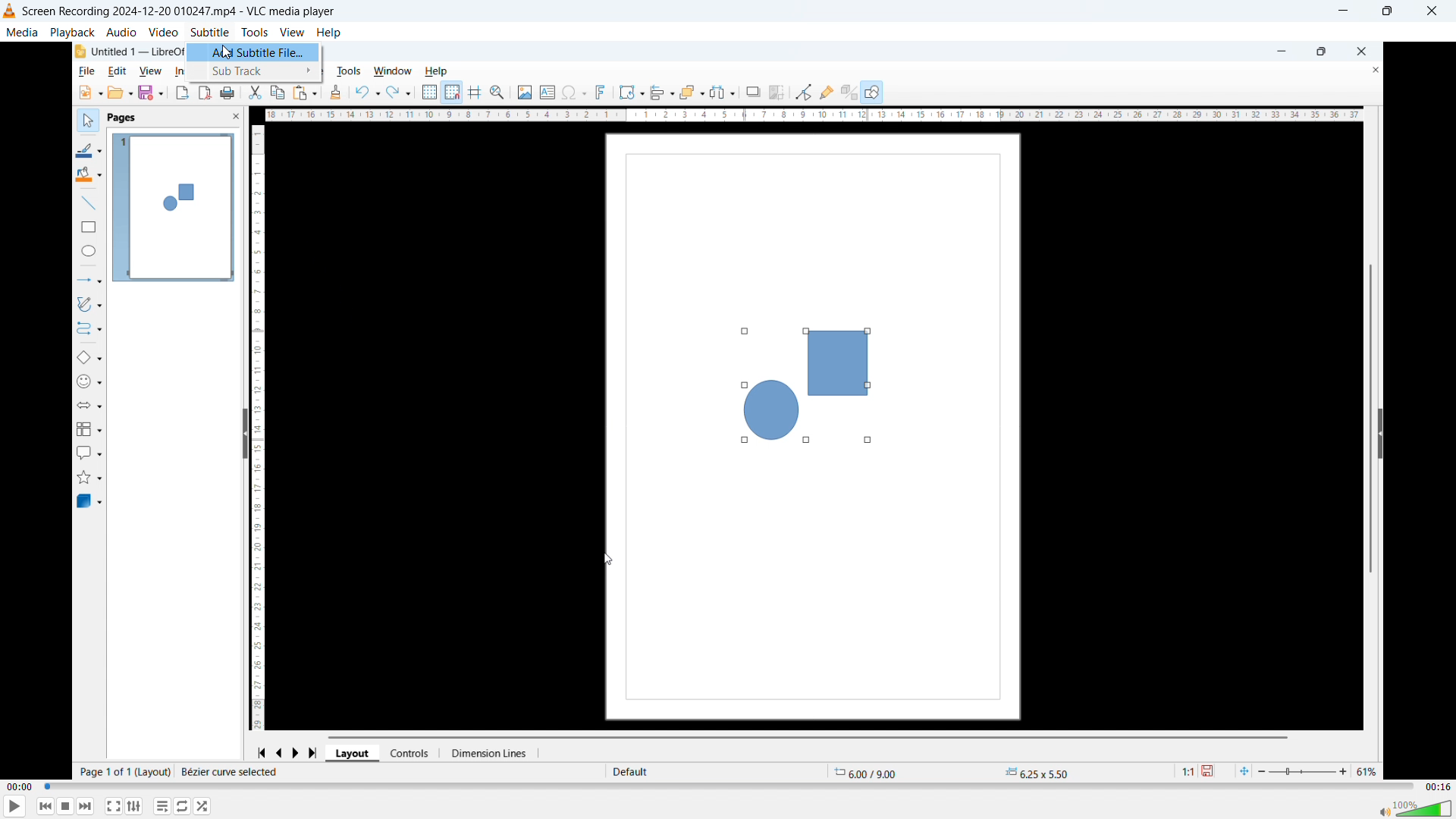  I want to click on symbol shapes, so click(92, 383).